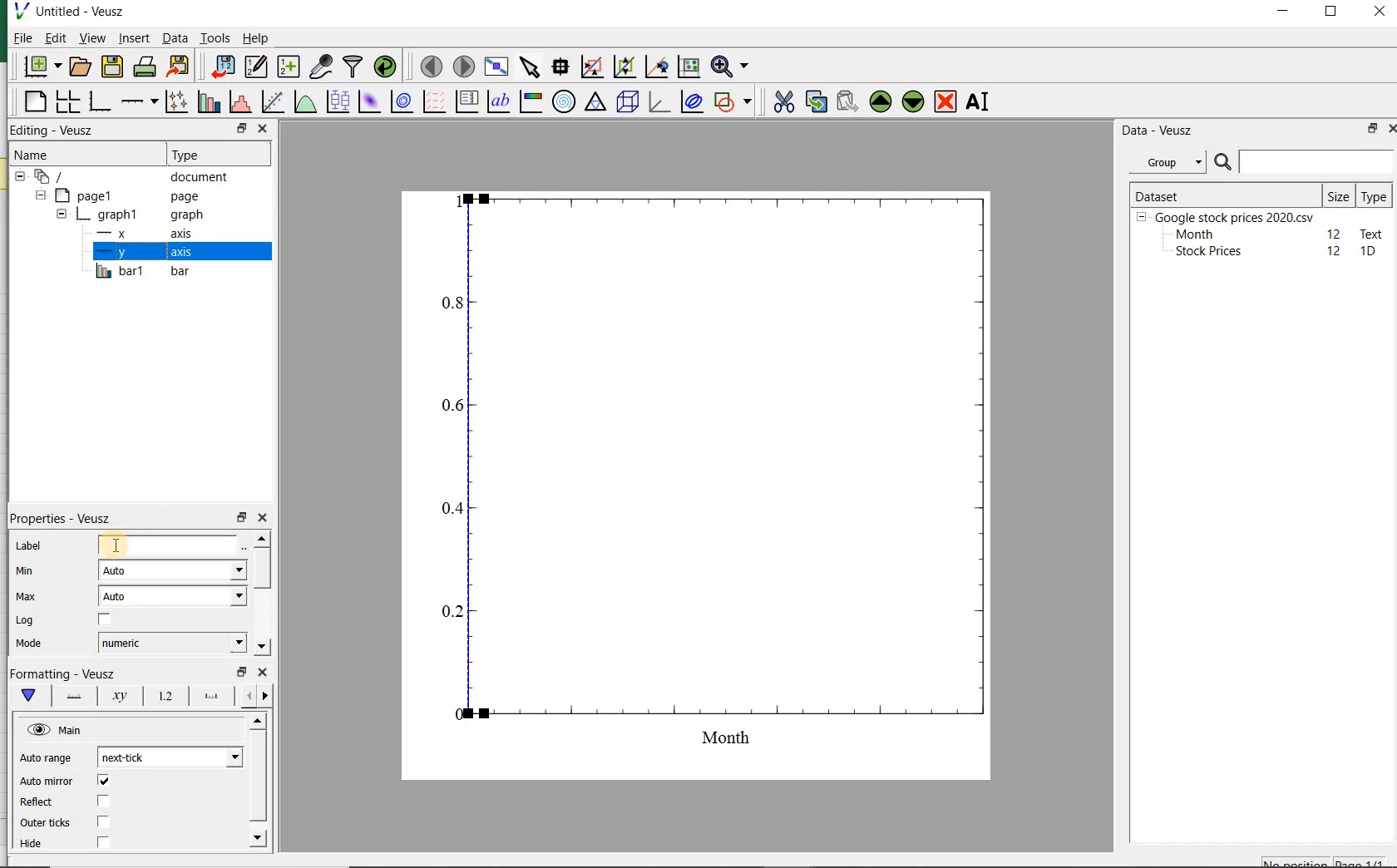 Image resolution: width=1397 pixels, height=868 pixels. What do you see at coordinates (432, 103) in the screenshot?
I see `plot a vector field` at bounding box center [432, 103].